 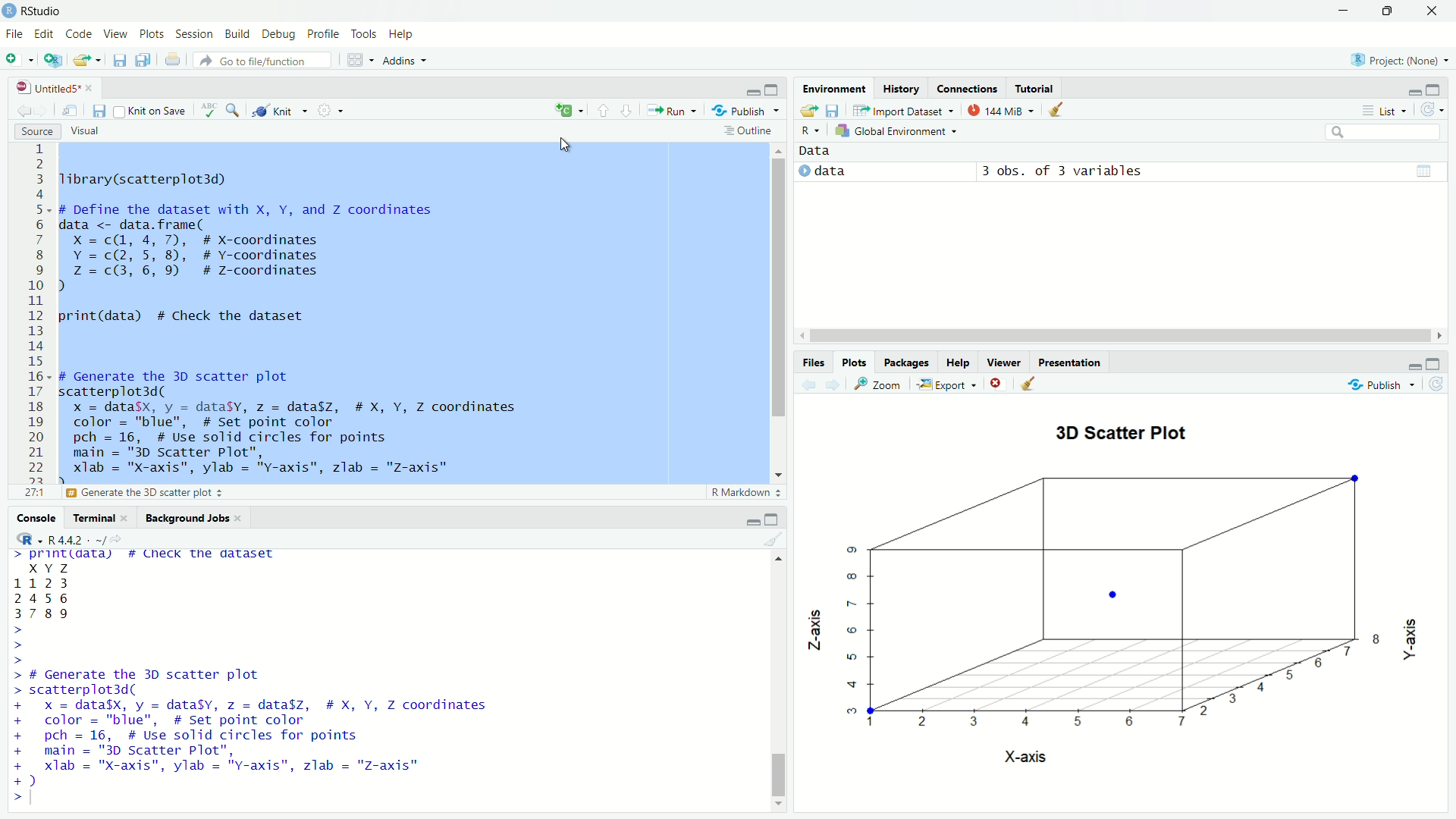 What do you see at coordinates (22, 539) in the screenshot?
I see `R` at bounding box center [22, 539].